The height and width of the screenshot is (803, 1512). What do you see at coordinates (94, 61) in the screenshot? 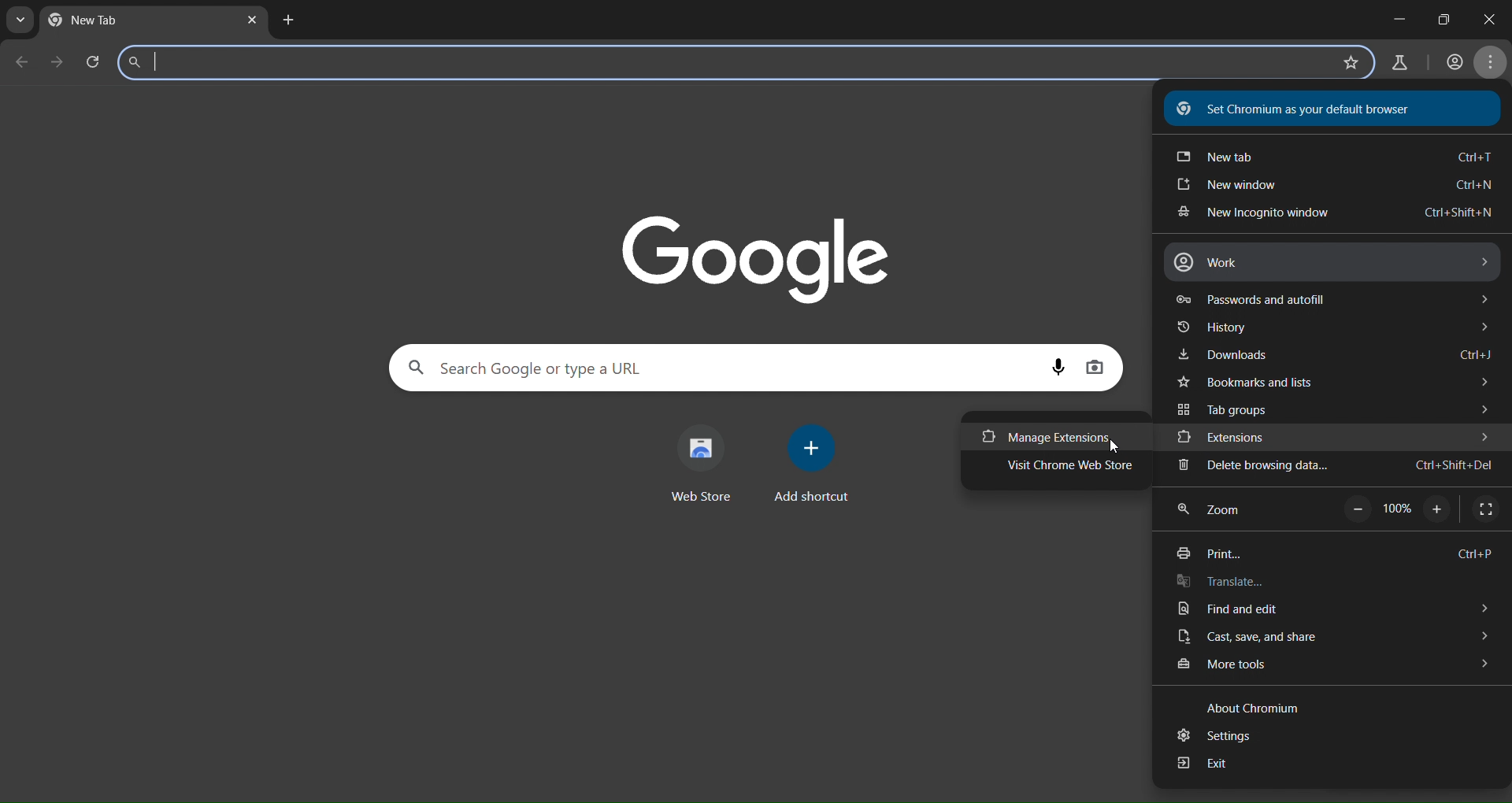
I see `reload page` at bounding box center [94, 61].